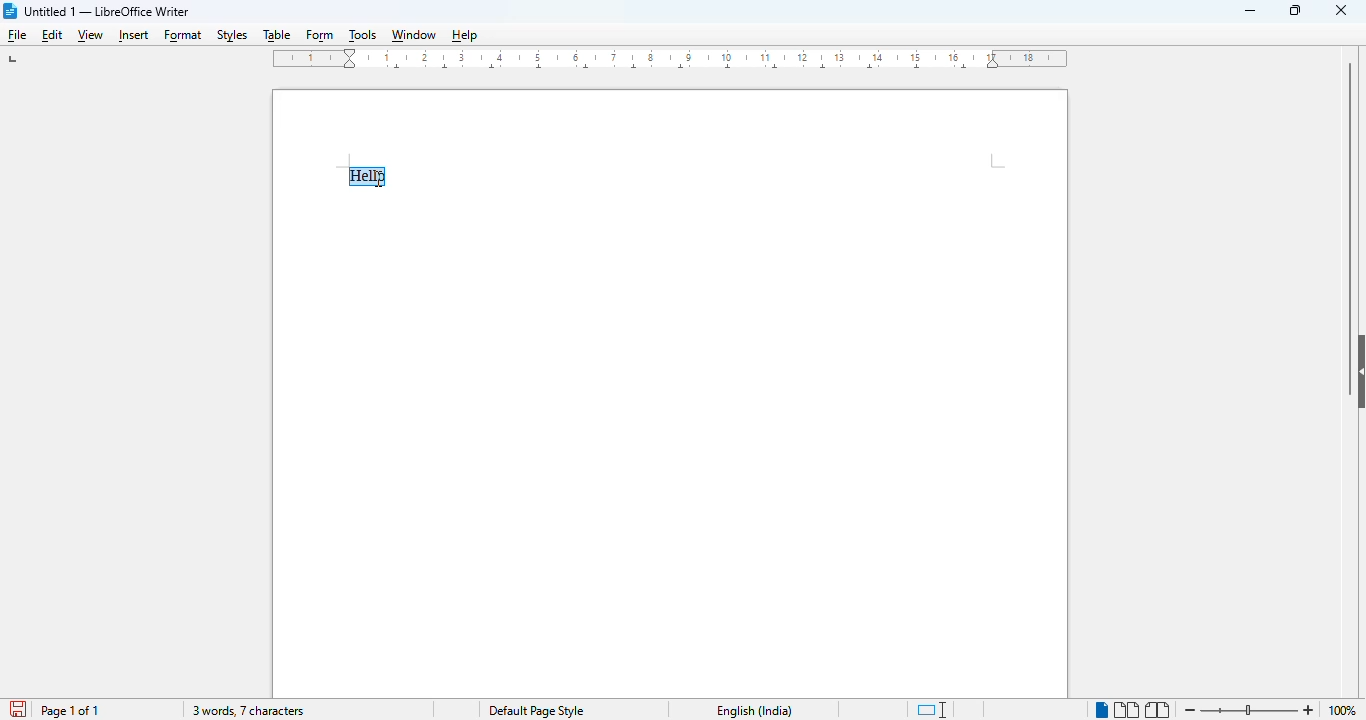 The image size is (1366, 720). I want to click on zoom, so click(1249, 709).